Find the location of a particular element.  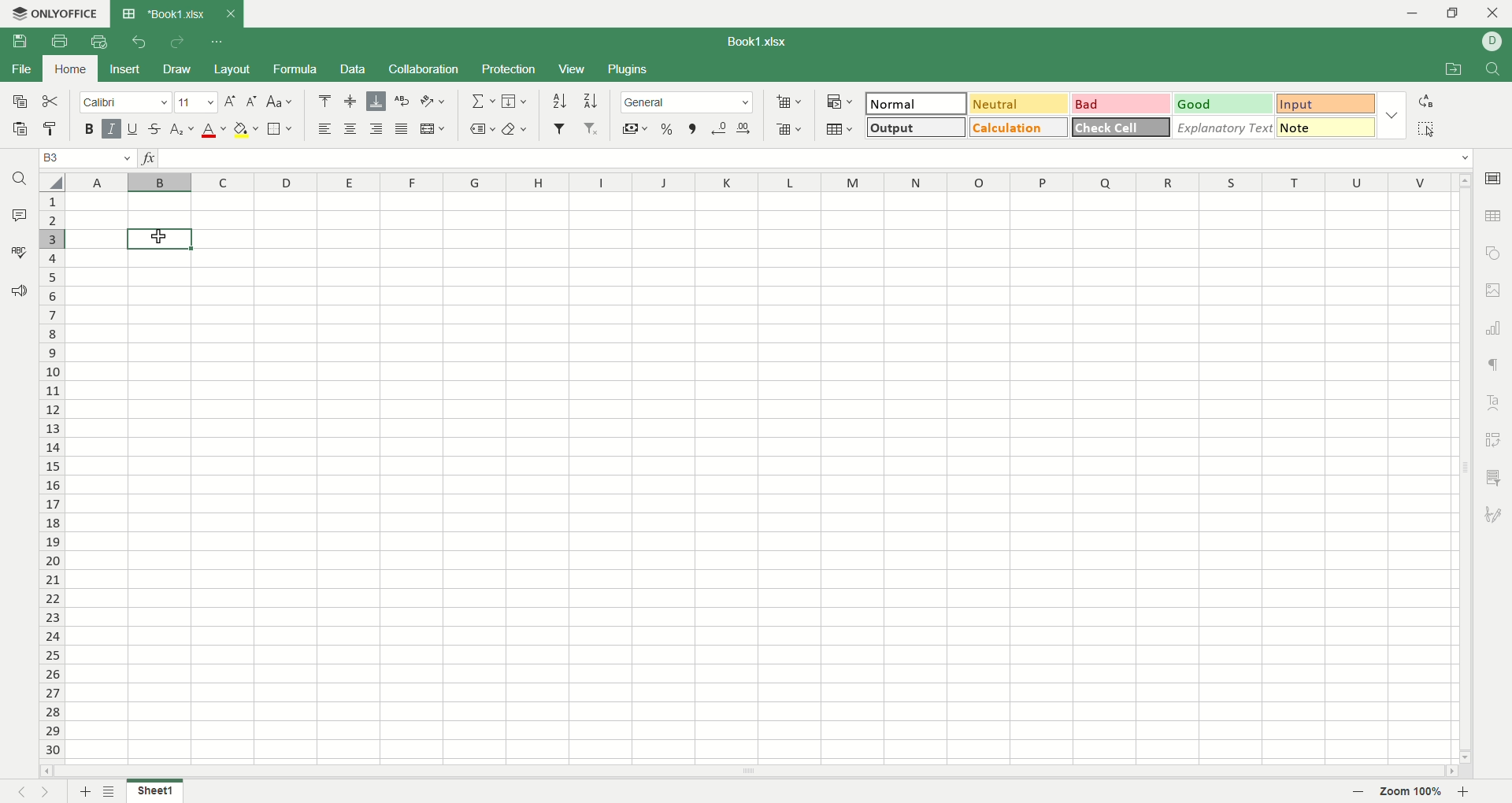

named ranges is located at coordinates (480, 129).